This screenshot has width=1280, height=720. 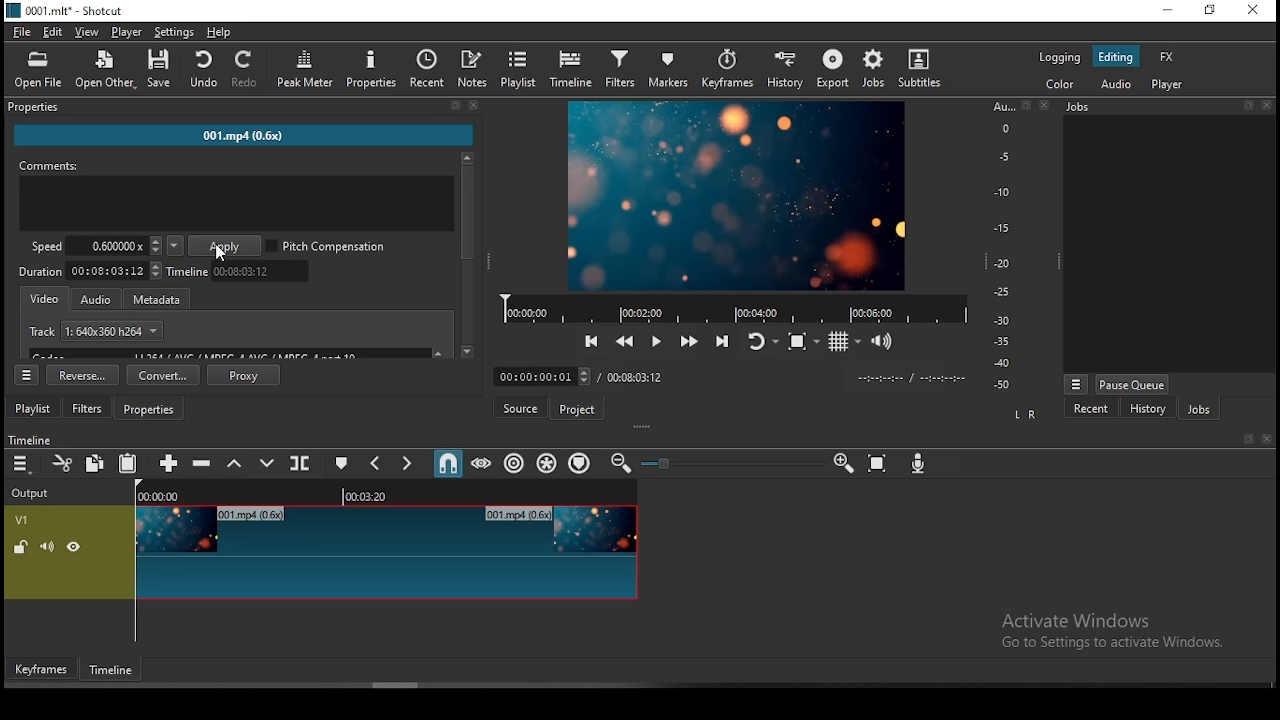 What do you see at coordinates (799, 342) in the screenshot?
I see `toggle zoom` at bounding box center [799, 342].